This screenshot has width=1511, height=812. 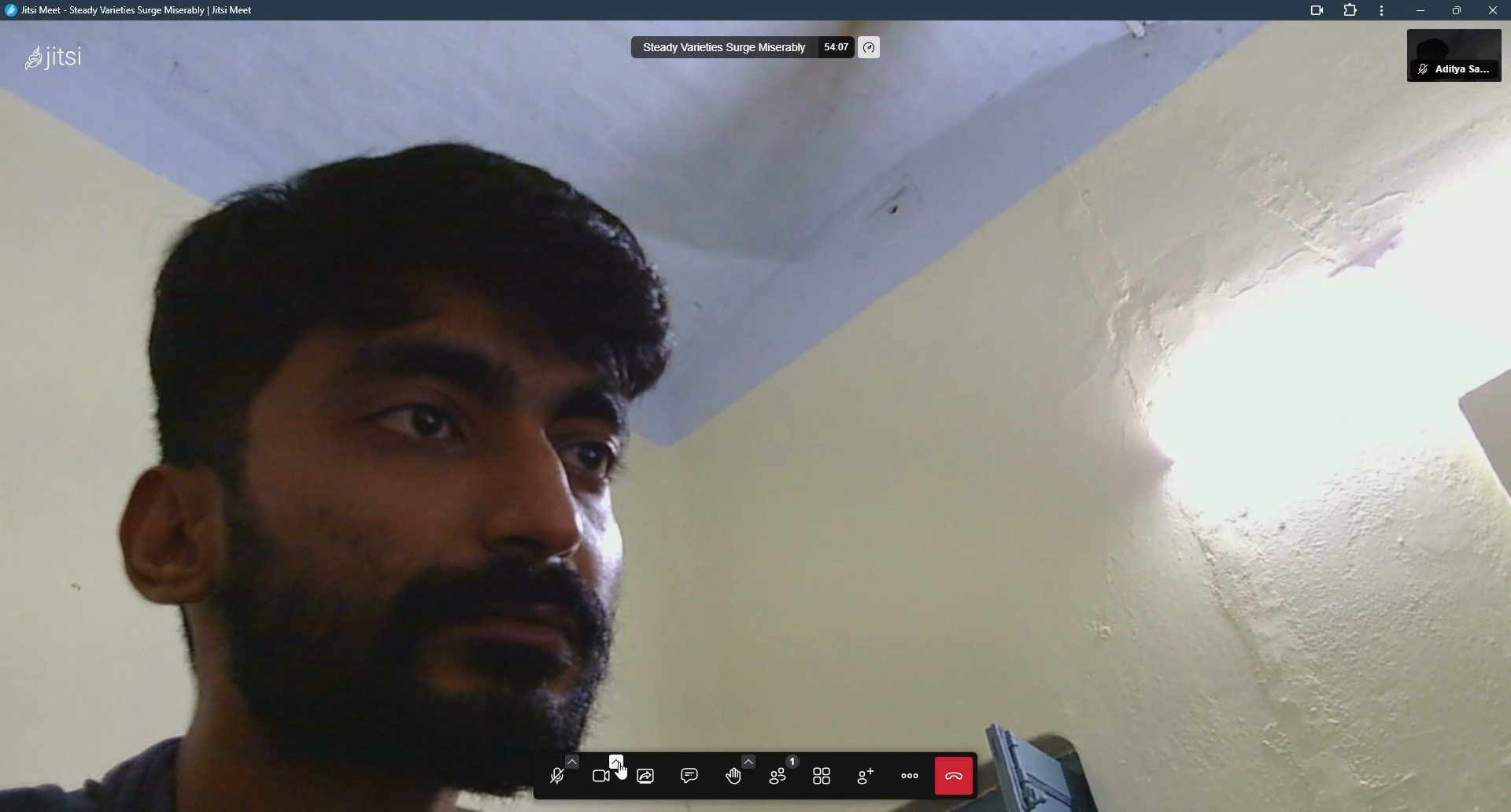 What do you see at coordinates (865, 774) in the screenshot?
I see `invite people` at bounding box center [865, 774].